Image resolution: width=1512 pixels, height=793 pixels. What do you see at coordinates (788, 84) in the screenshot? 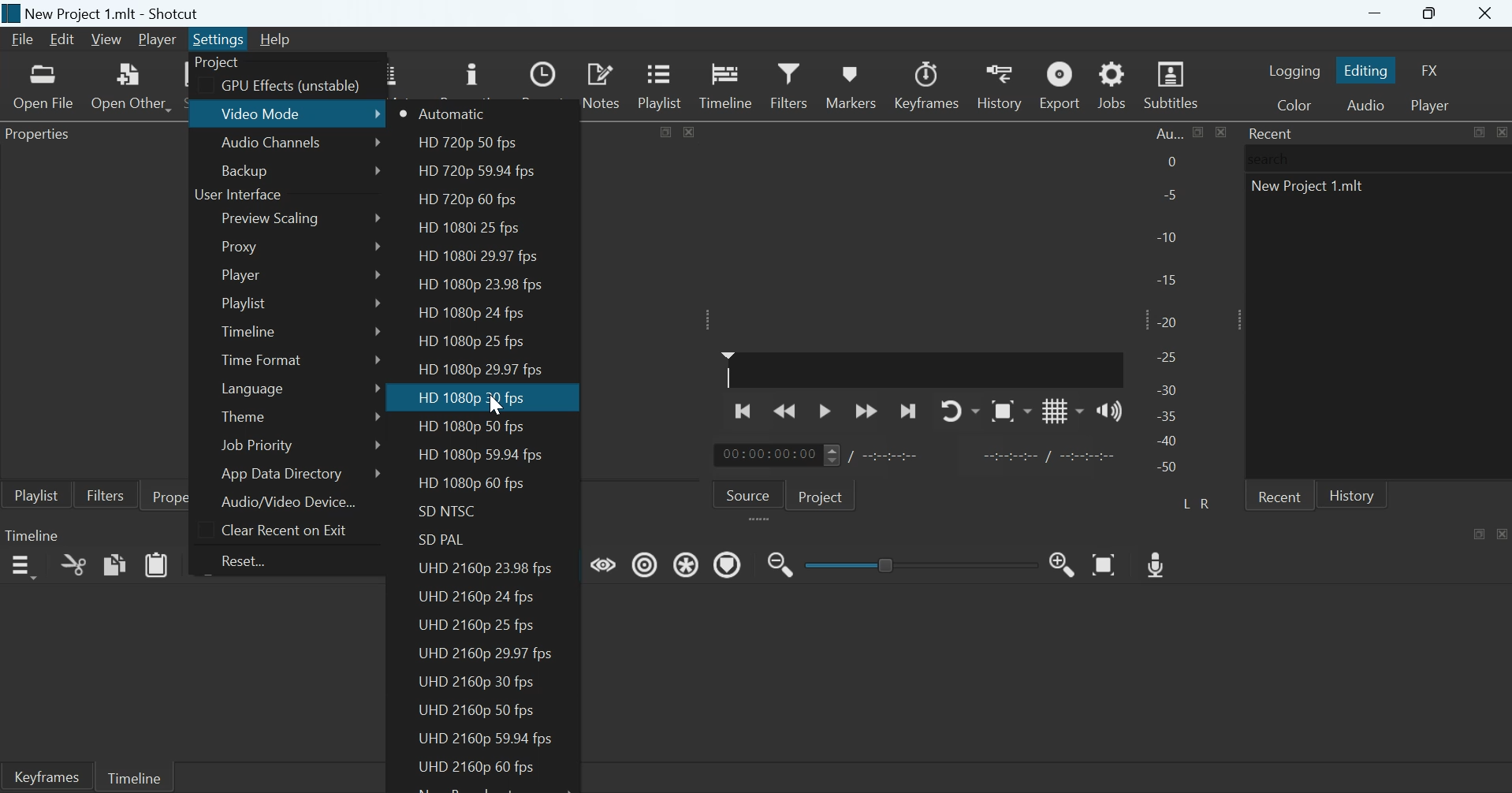
I see `Filters` at bounding box center [788, 84].